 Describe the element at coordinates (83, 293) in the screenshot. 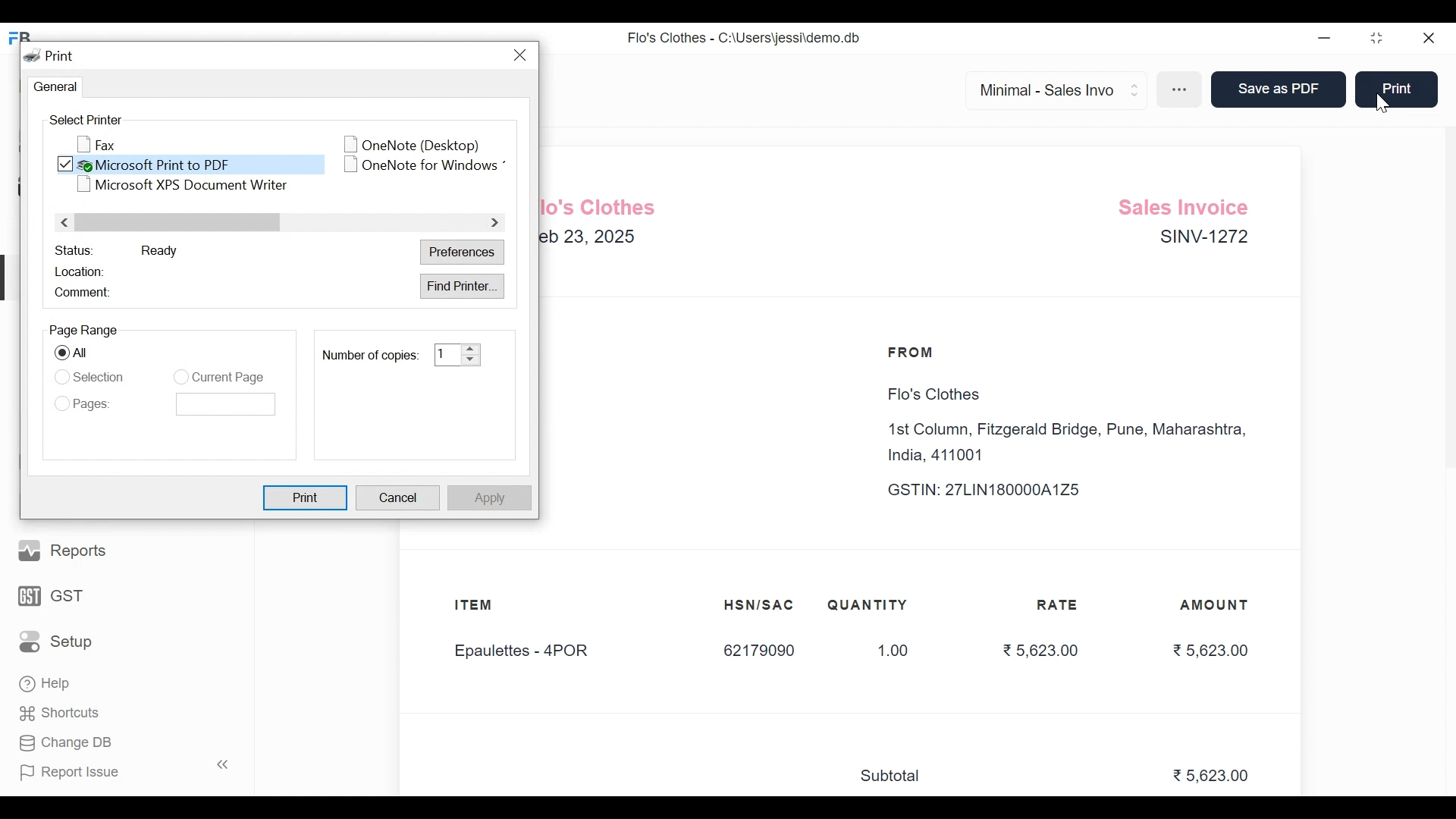

I see `Comment` at that location.